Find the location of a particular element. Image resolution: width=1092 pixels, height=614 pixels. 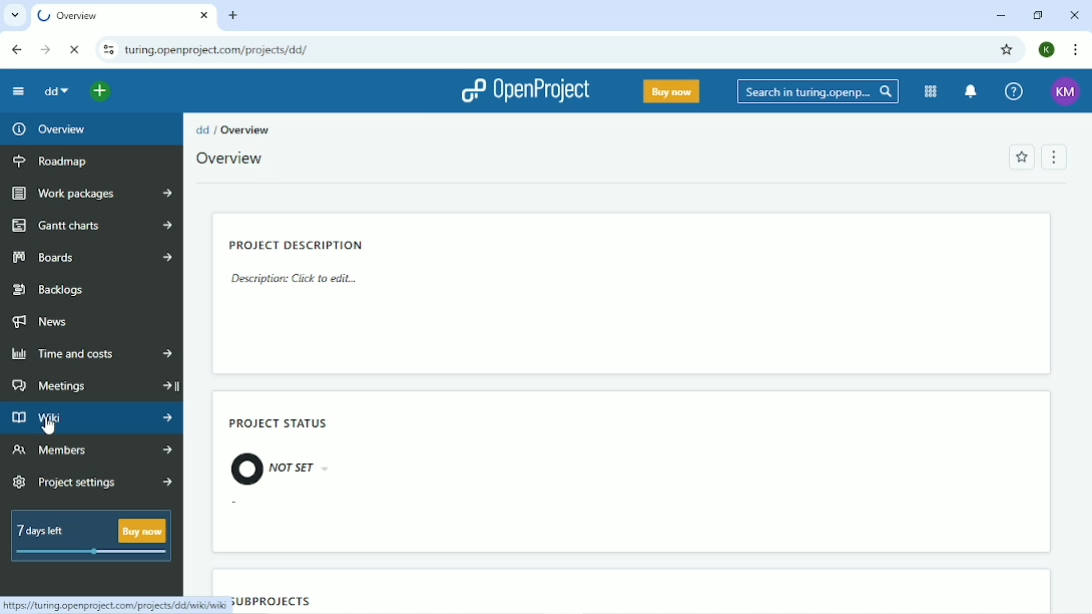

Expand is located at coordinates (184, 385).